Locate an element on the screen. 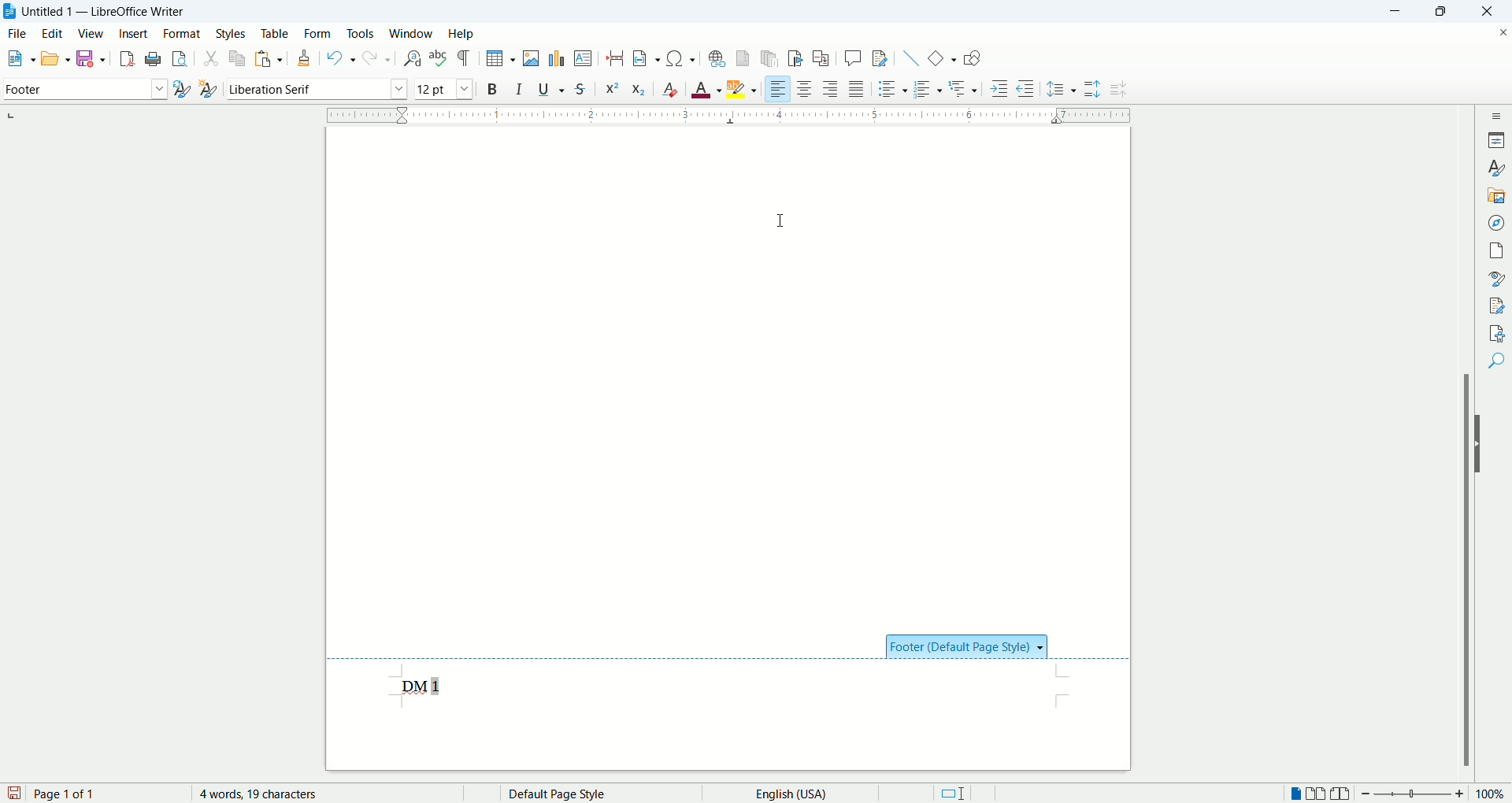  align center is located at coordinates (809, 90).